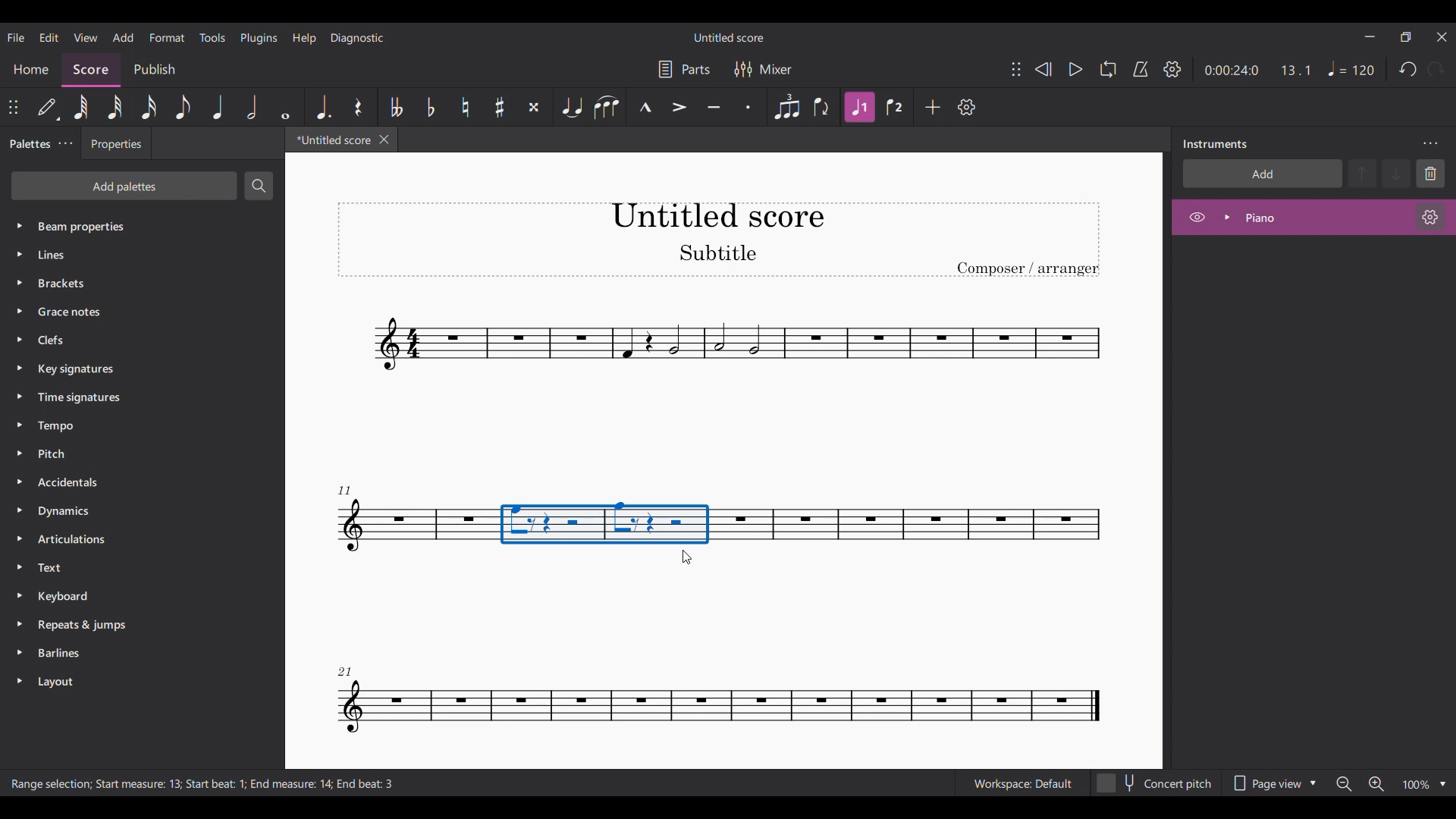 The width and height of the screenshot is (1456, 819). What do you see at coordinates (1345, 784) in the screenshot?
I see `Zoom out` at bounding box center [1345, 784].